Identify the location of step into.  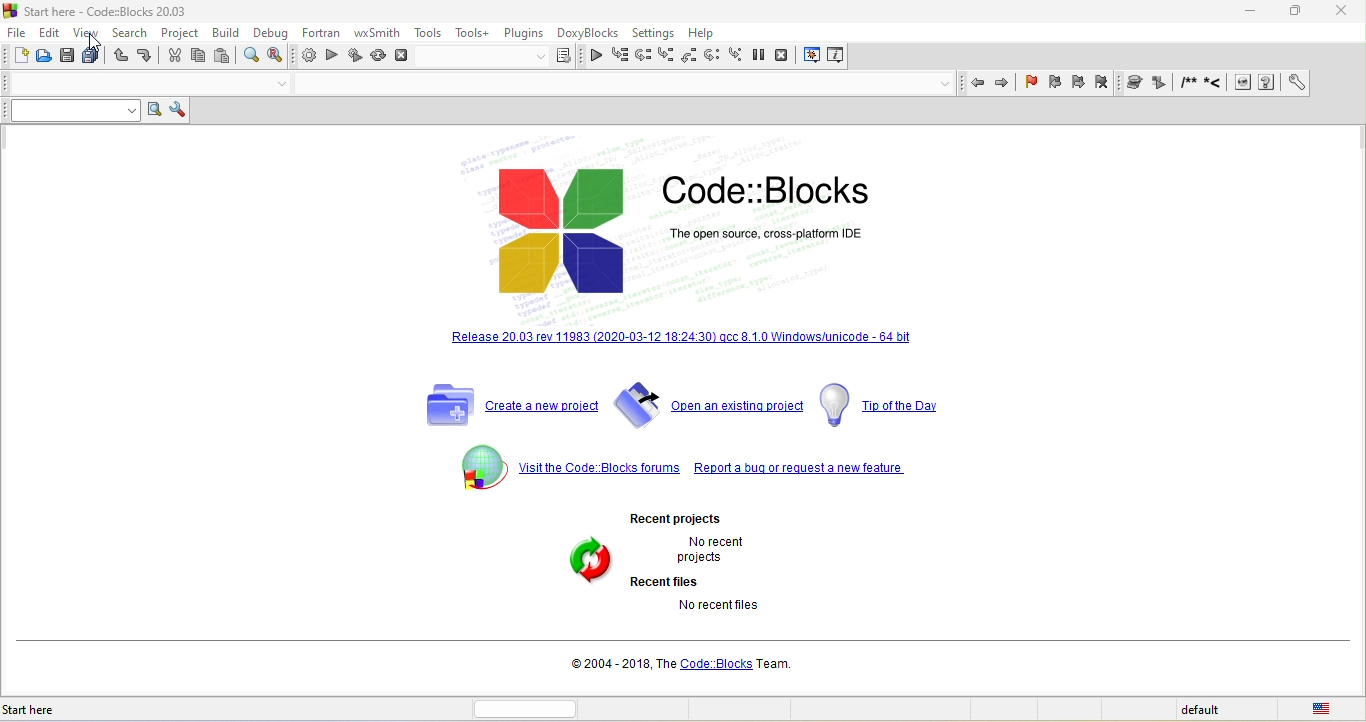
(668, 56).